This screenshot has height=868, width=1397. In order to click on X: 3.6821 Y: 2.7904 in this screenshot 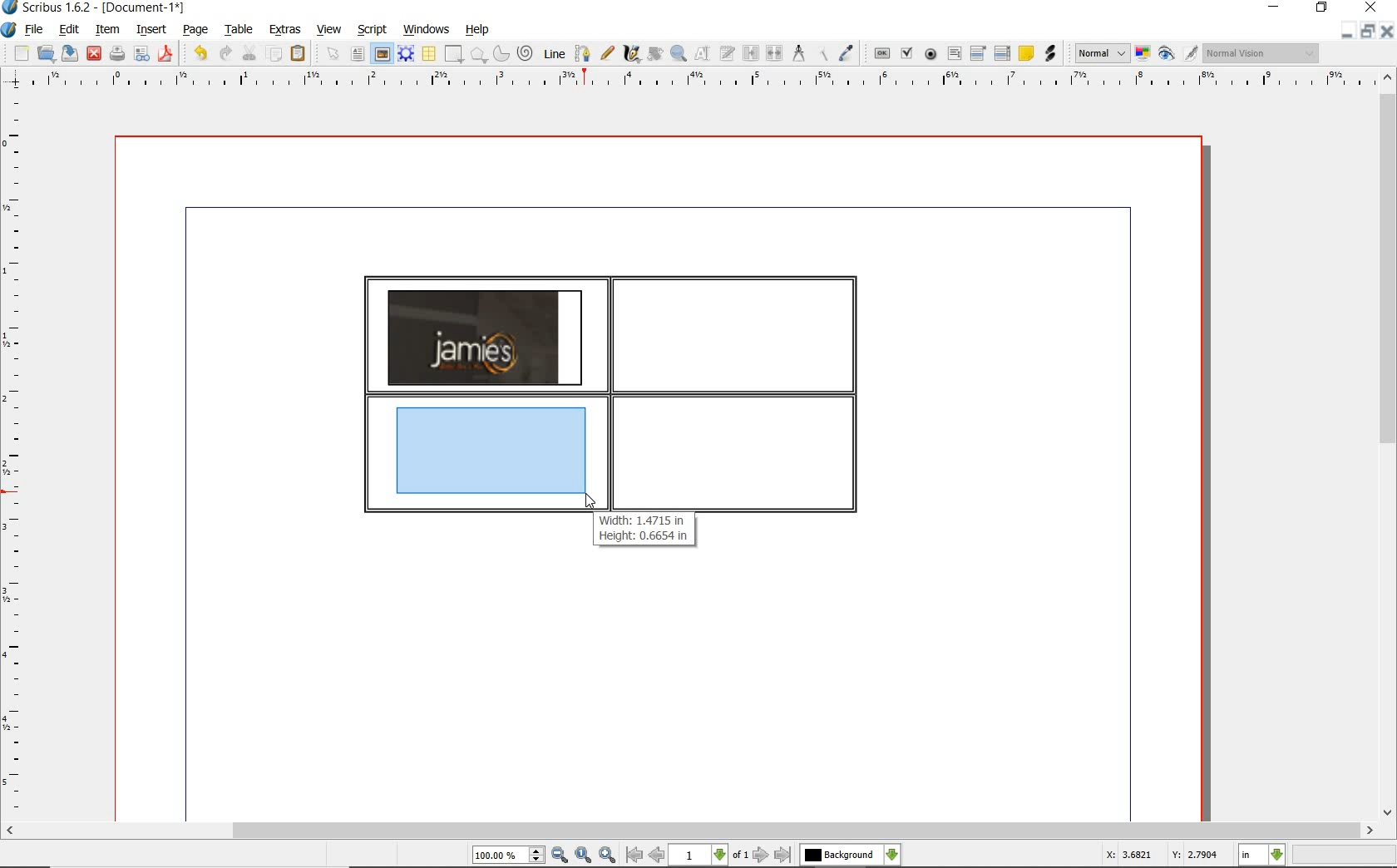, I will do `click(1161, 856)`.